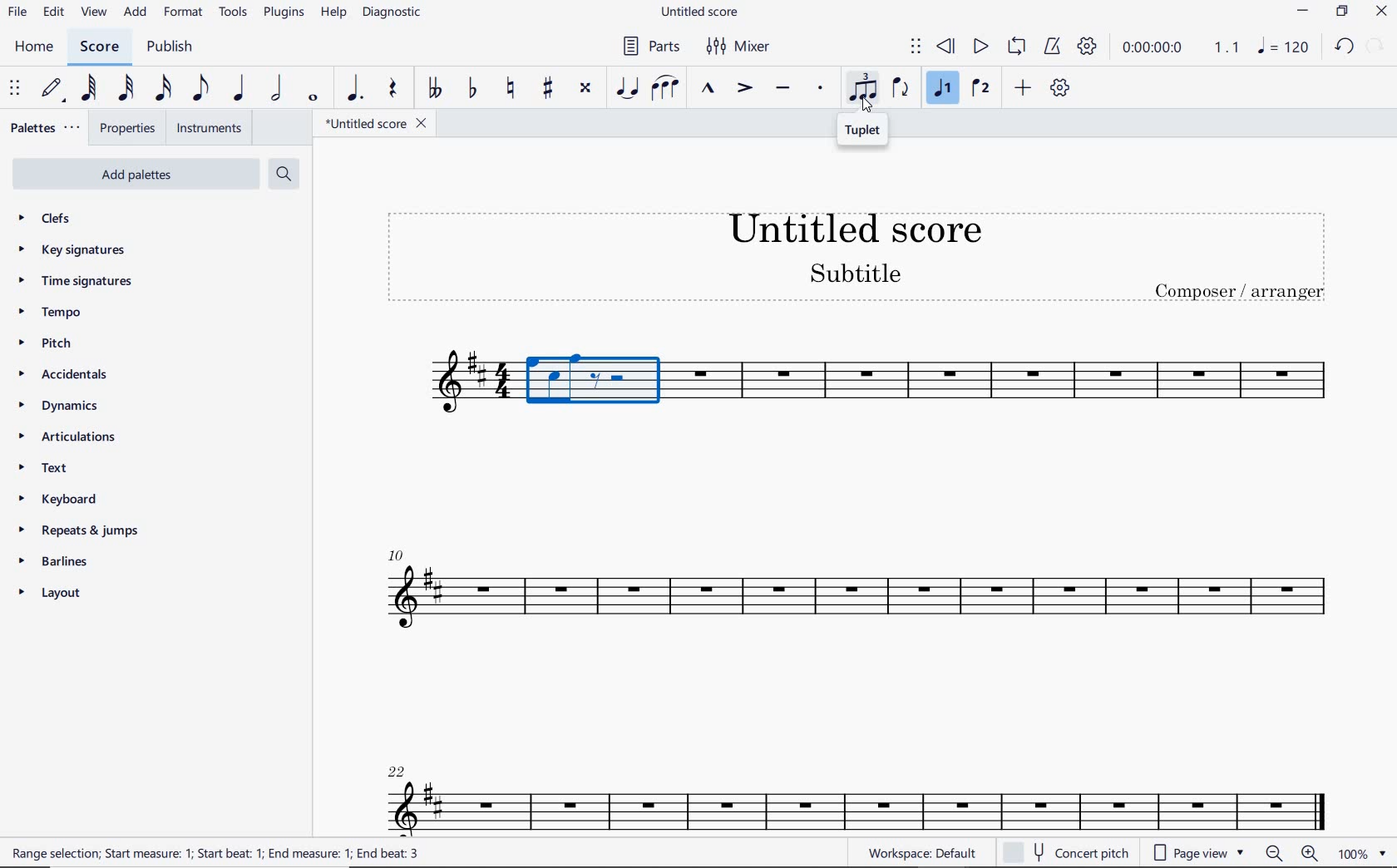 This screenshot has height=868, width=1397. What do you see at coordinates (1360, 852) in the screenshot?
I see `zoom factor` at bounding box center [1360, 852].